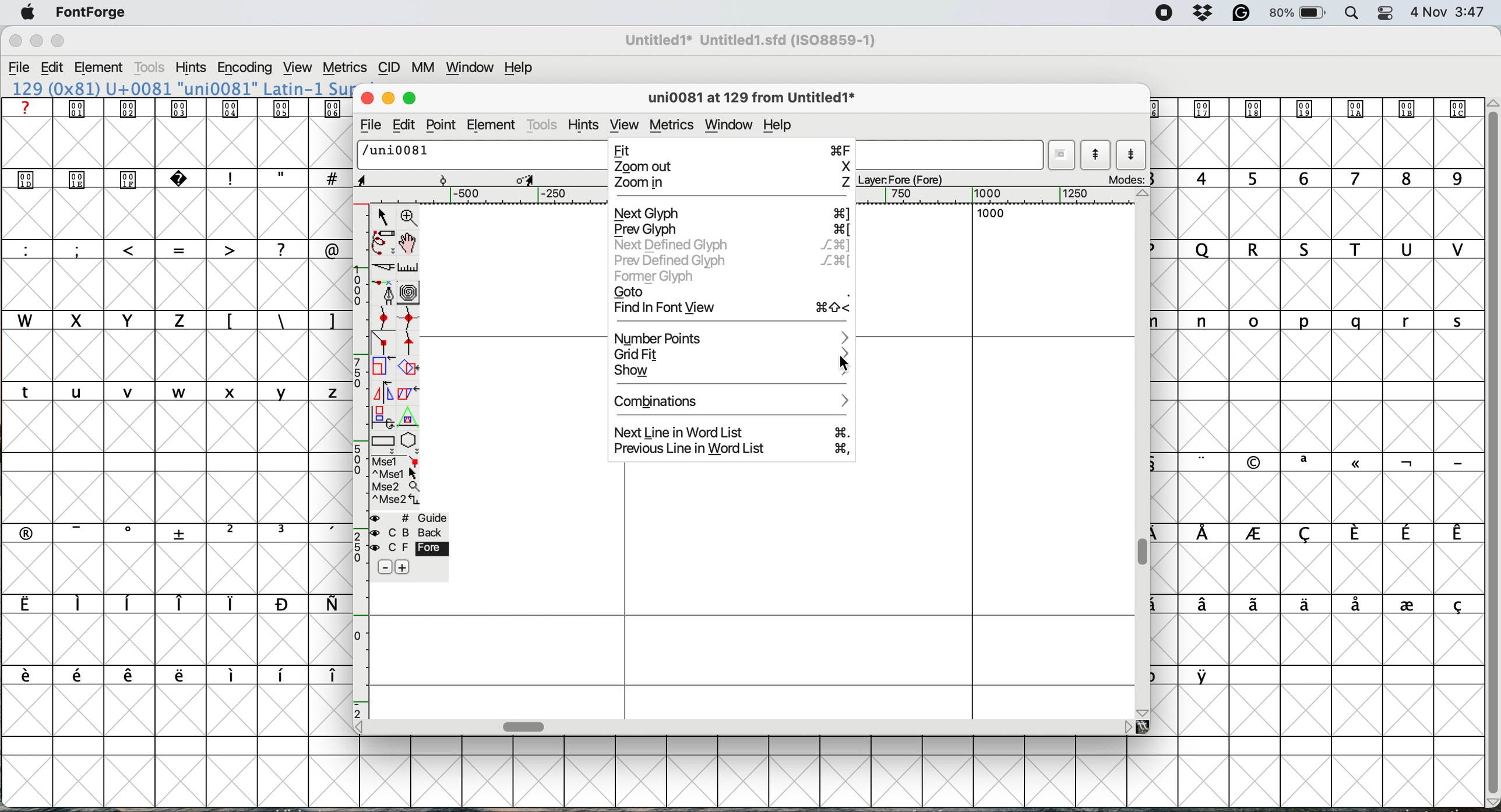 The width and height of the screenshot is (1501, 812). Describe the element at coordinates (731, 183) in the screenshot. I see `zoom in` at that location.